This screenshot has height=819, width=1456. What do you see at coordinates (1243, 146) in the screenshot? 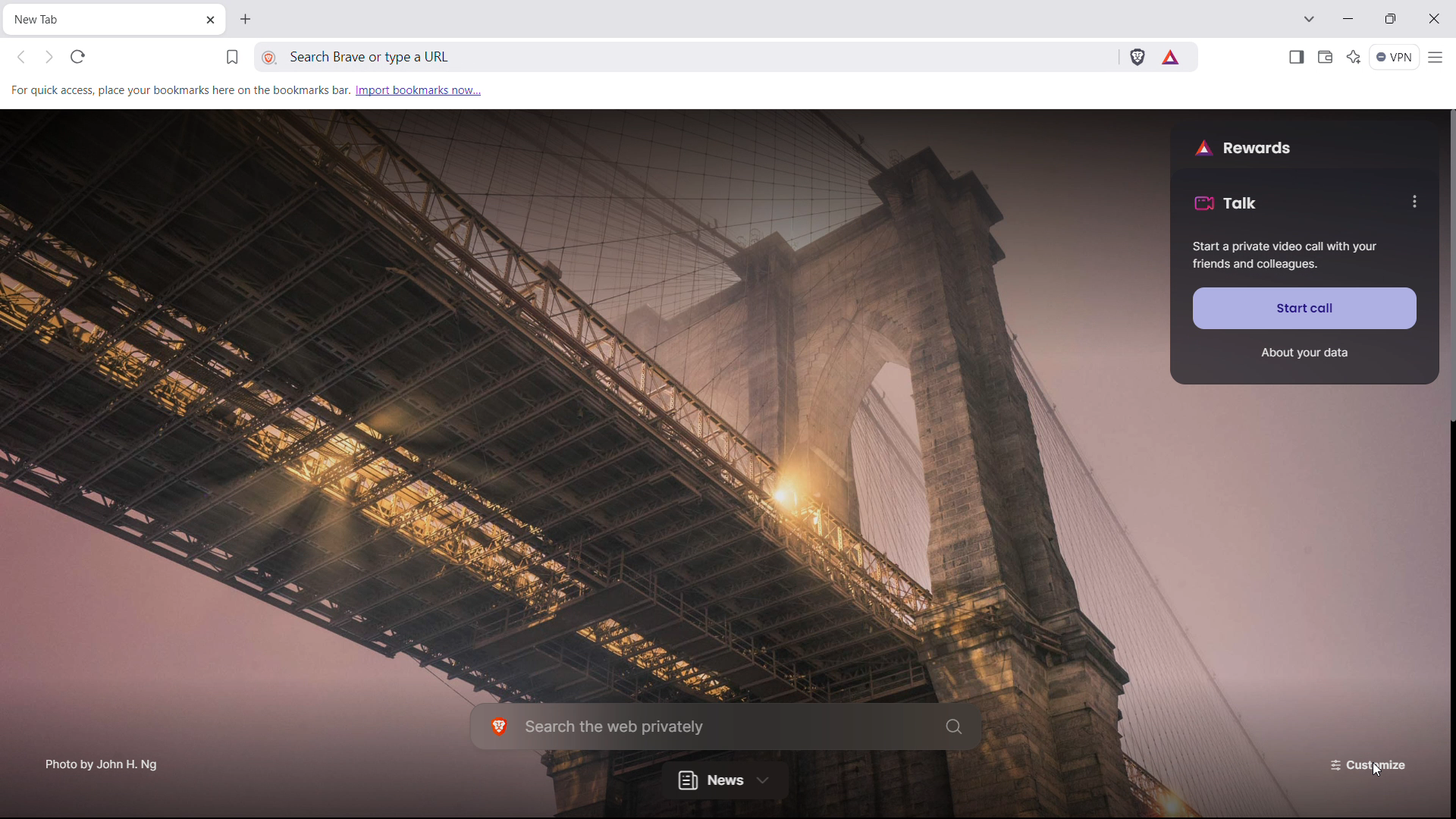
I see `rewards` at bounding box center [1243, 146].